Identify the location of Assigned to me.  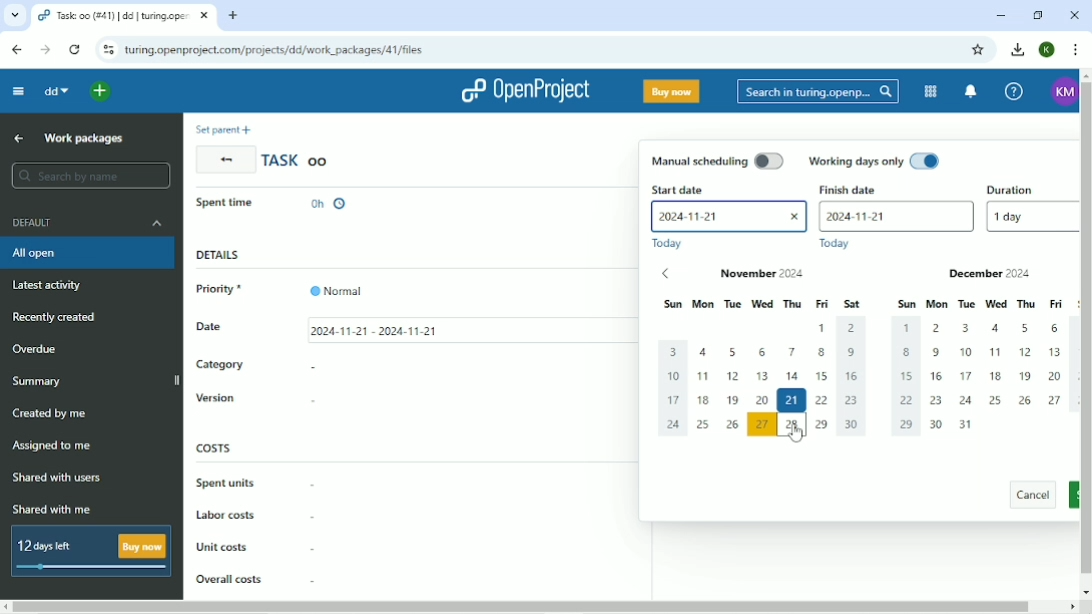
(55, 447).